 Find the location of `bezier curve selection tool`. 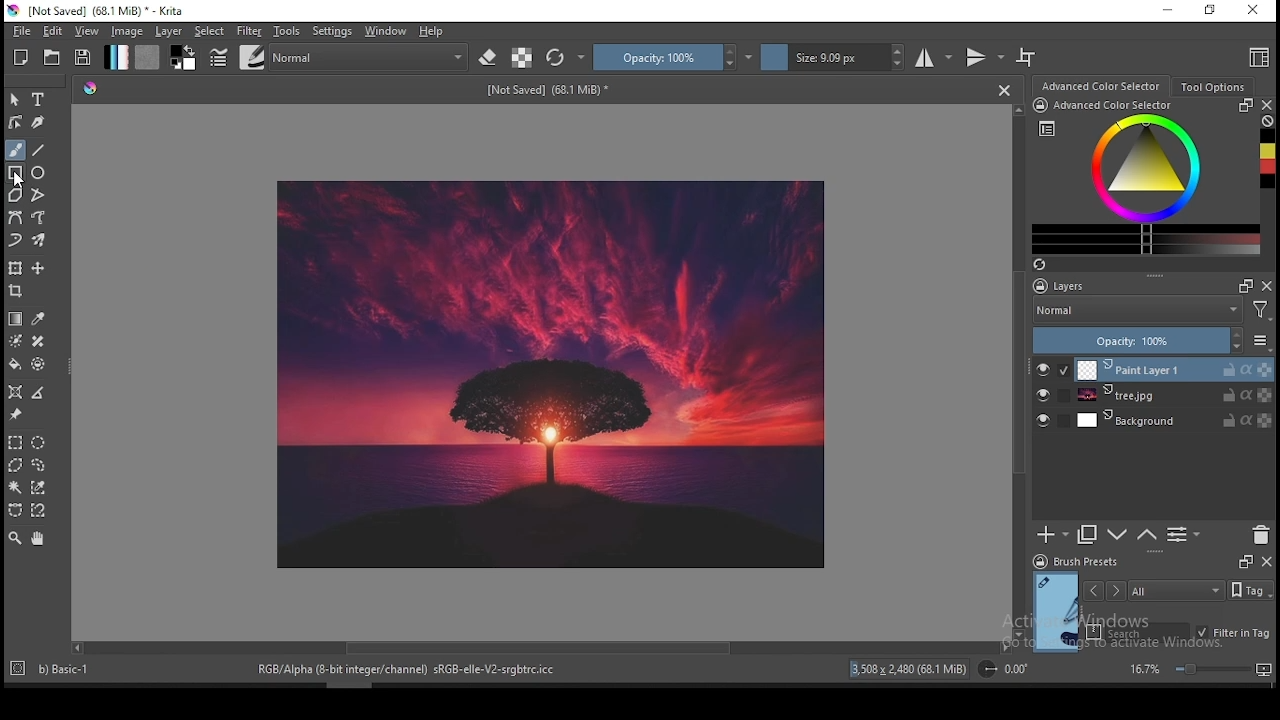

bezier curve selection tool is located at coordinates (13, 511).